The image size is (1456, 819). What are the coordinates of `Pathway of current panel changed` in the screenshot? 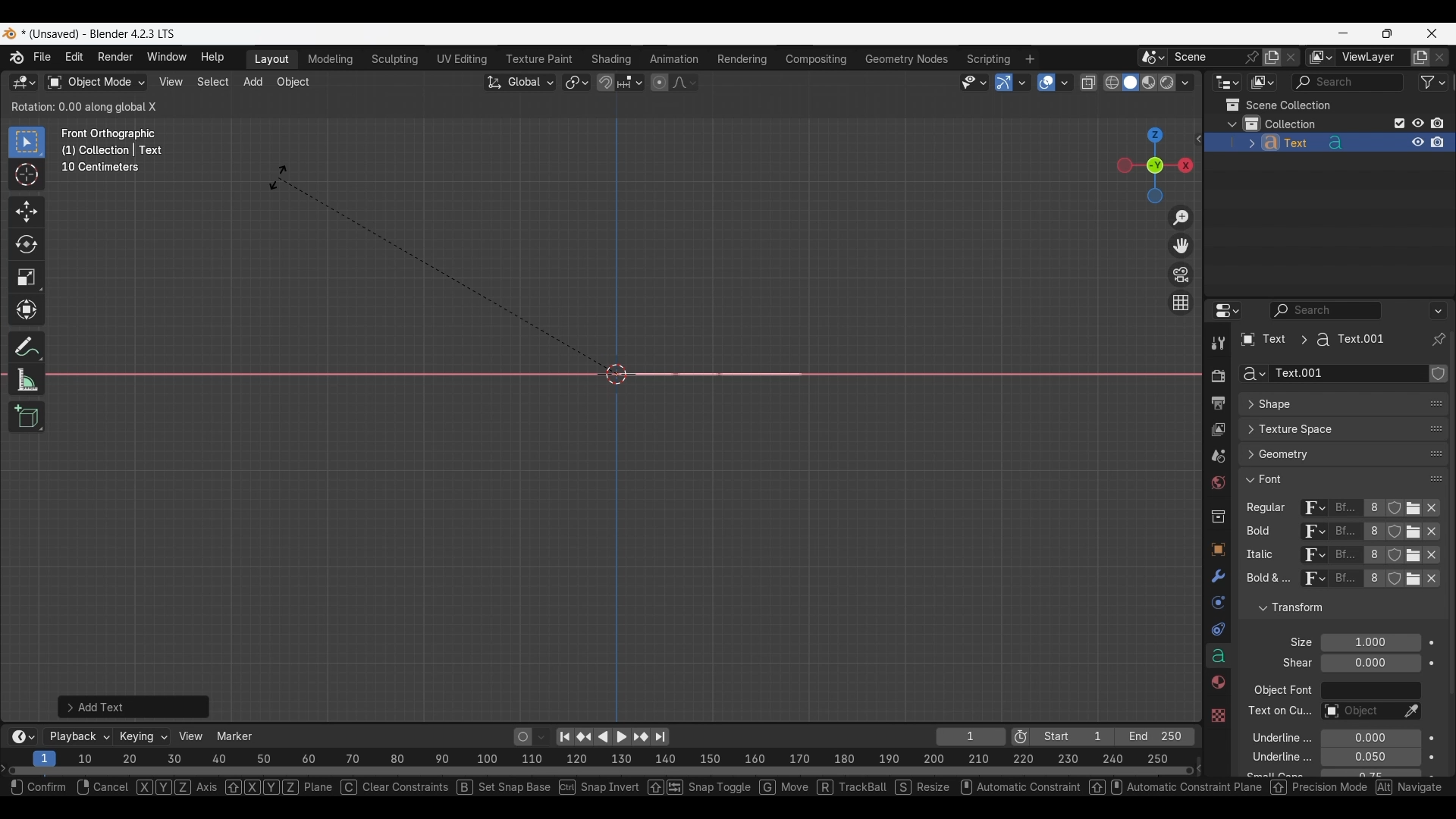 It's located at (1311, 340).